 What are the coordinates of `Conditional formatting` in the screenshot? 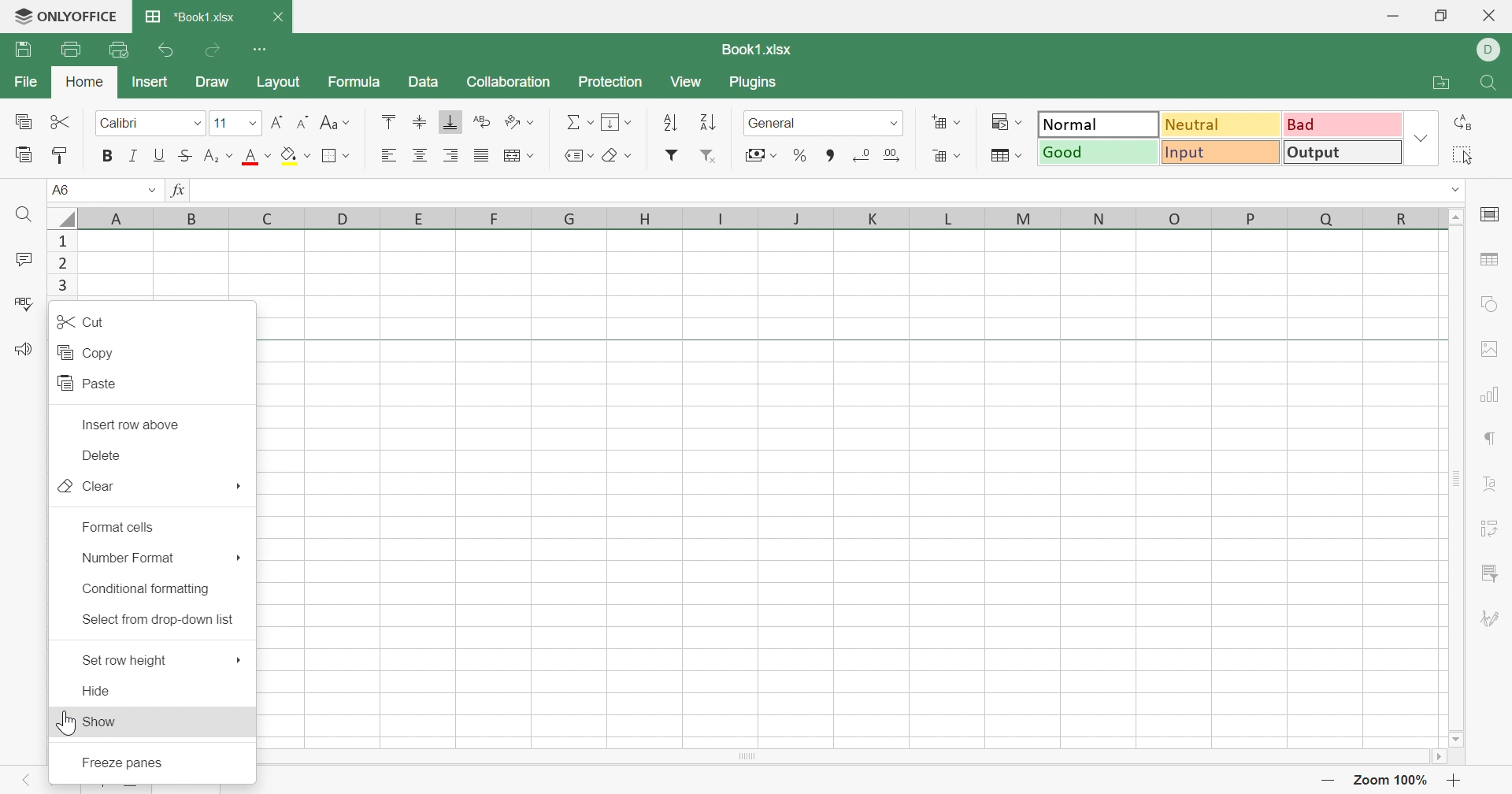 It's located at (143, 588).